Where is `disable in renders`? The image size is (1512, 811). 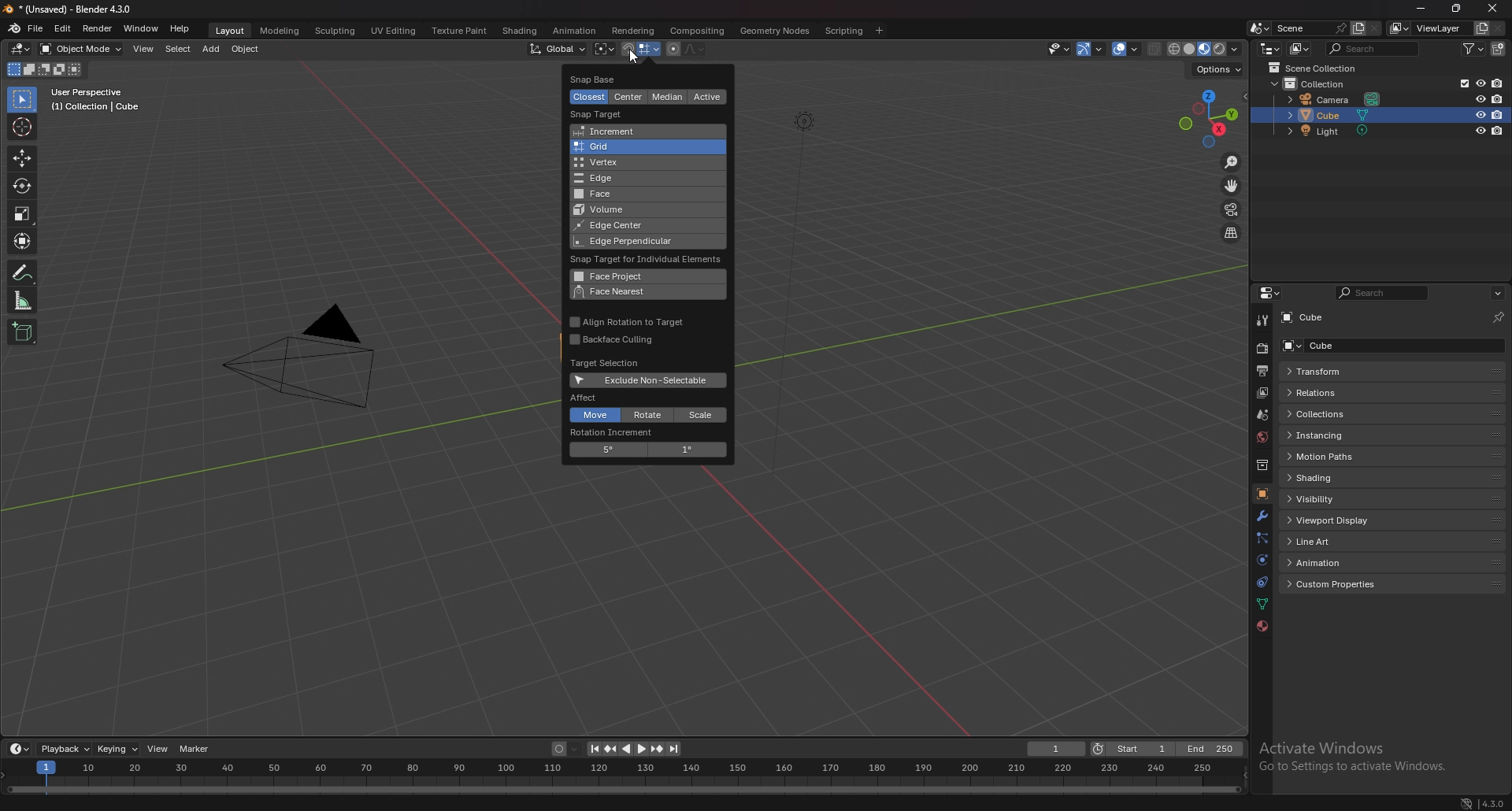 disable in renders is located at coordinates (1496, 83).